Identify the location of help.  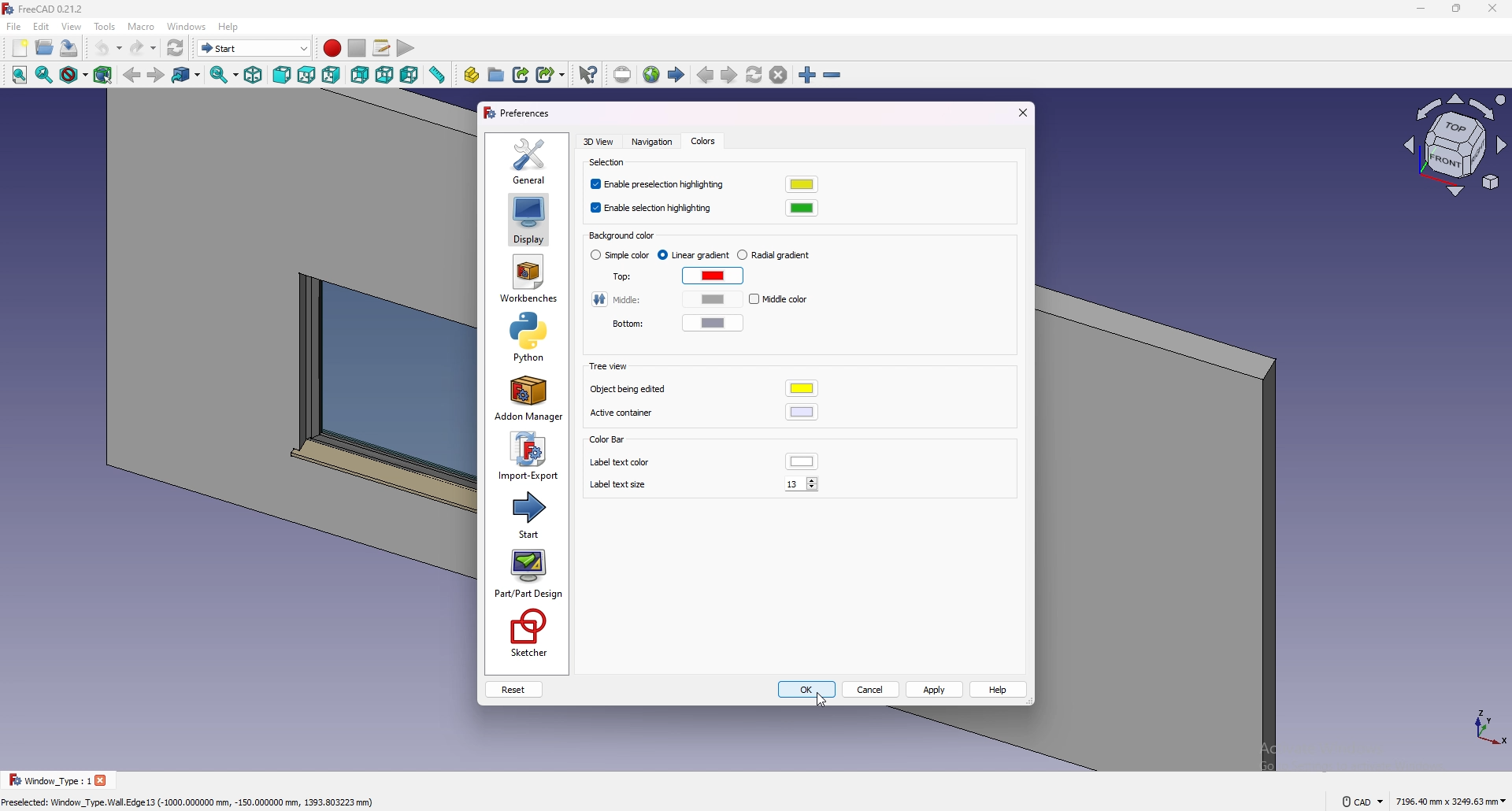
(228, 27).